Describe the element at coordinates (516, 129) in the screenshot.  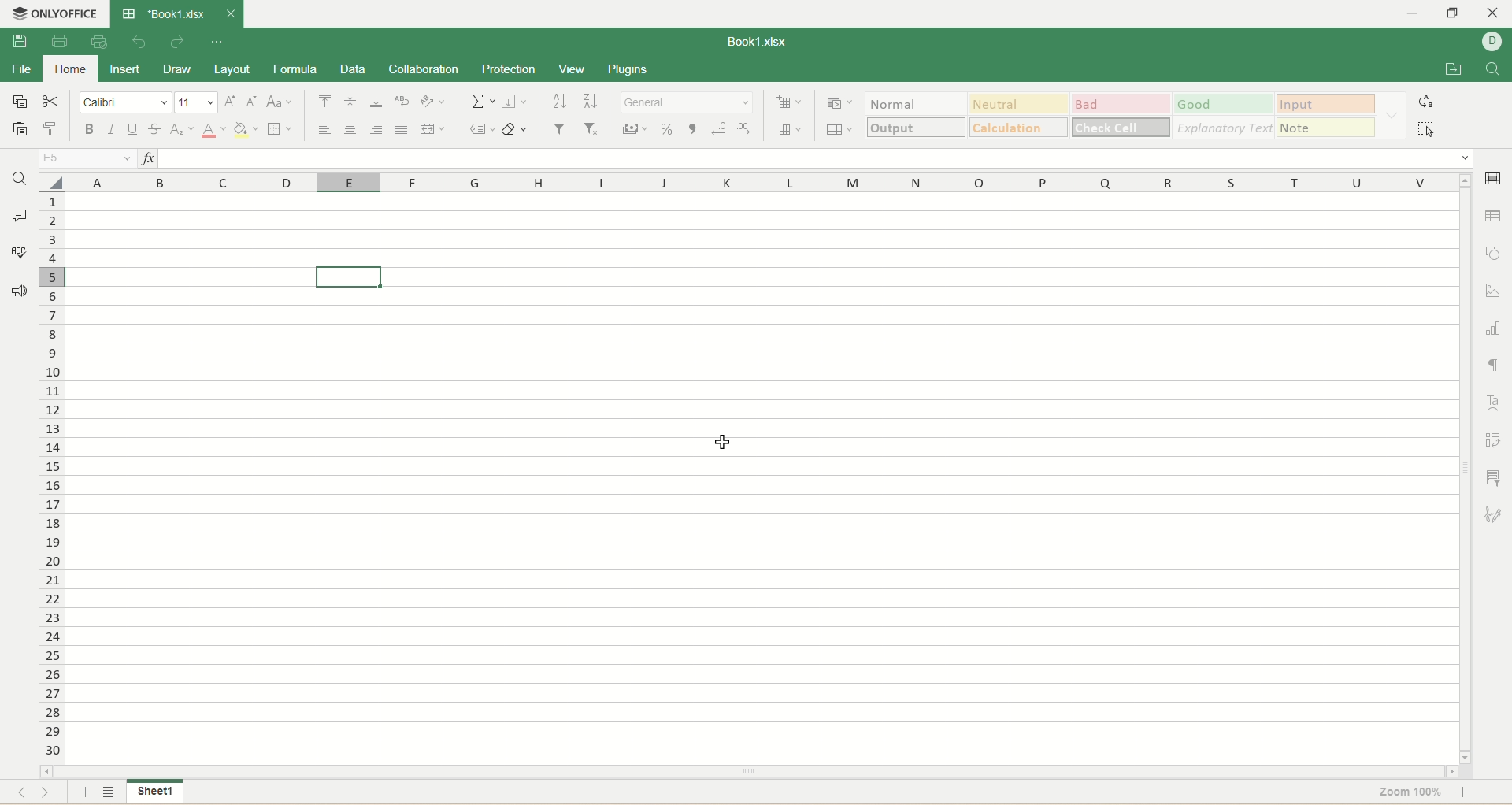
I see `clear` at that location.